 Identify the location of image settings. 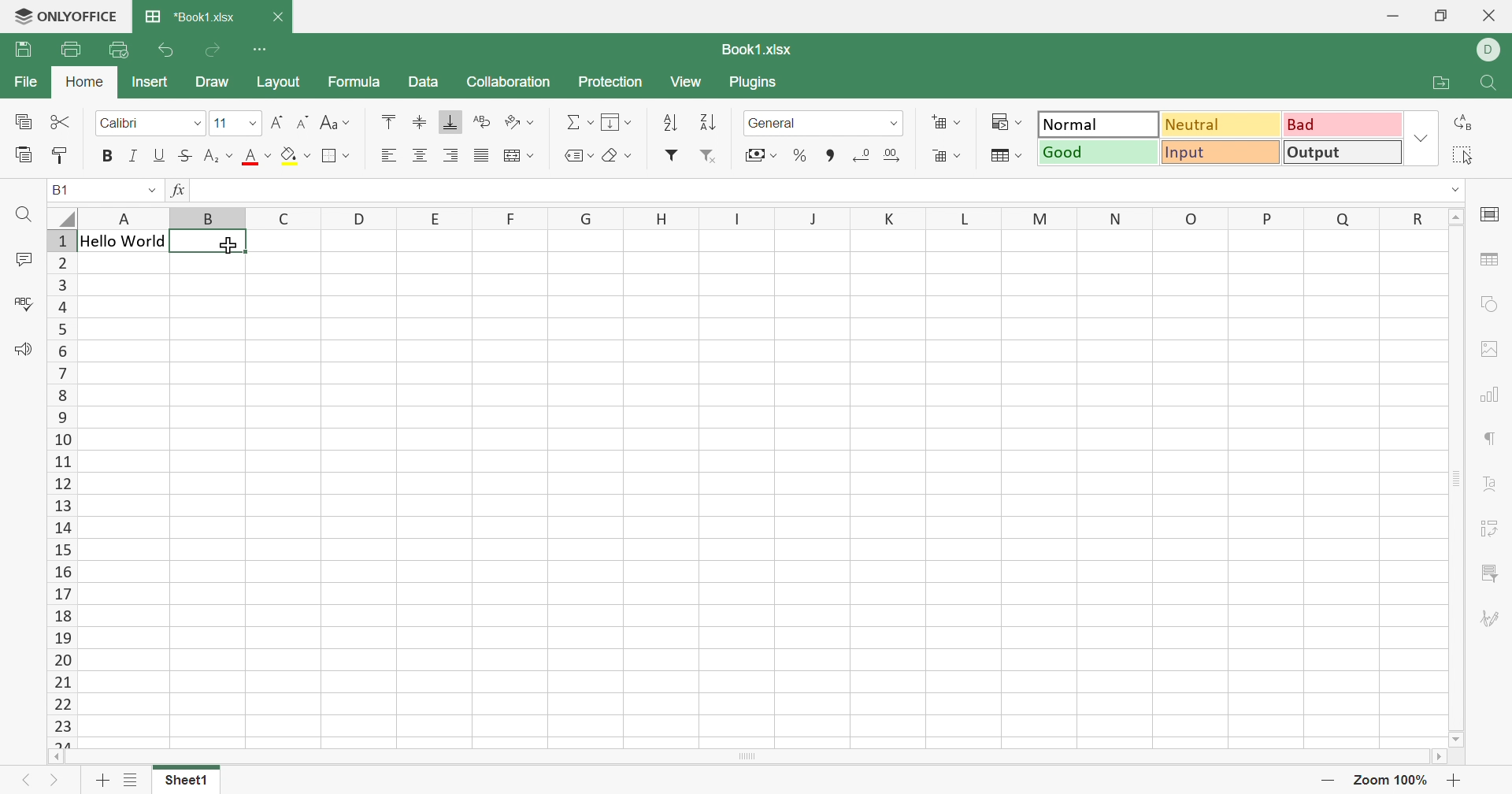
(1488, 347).